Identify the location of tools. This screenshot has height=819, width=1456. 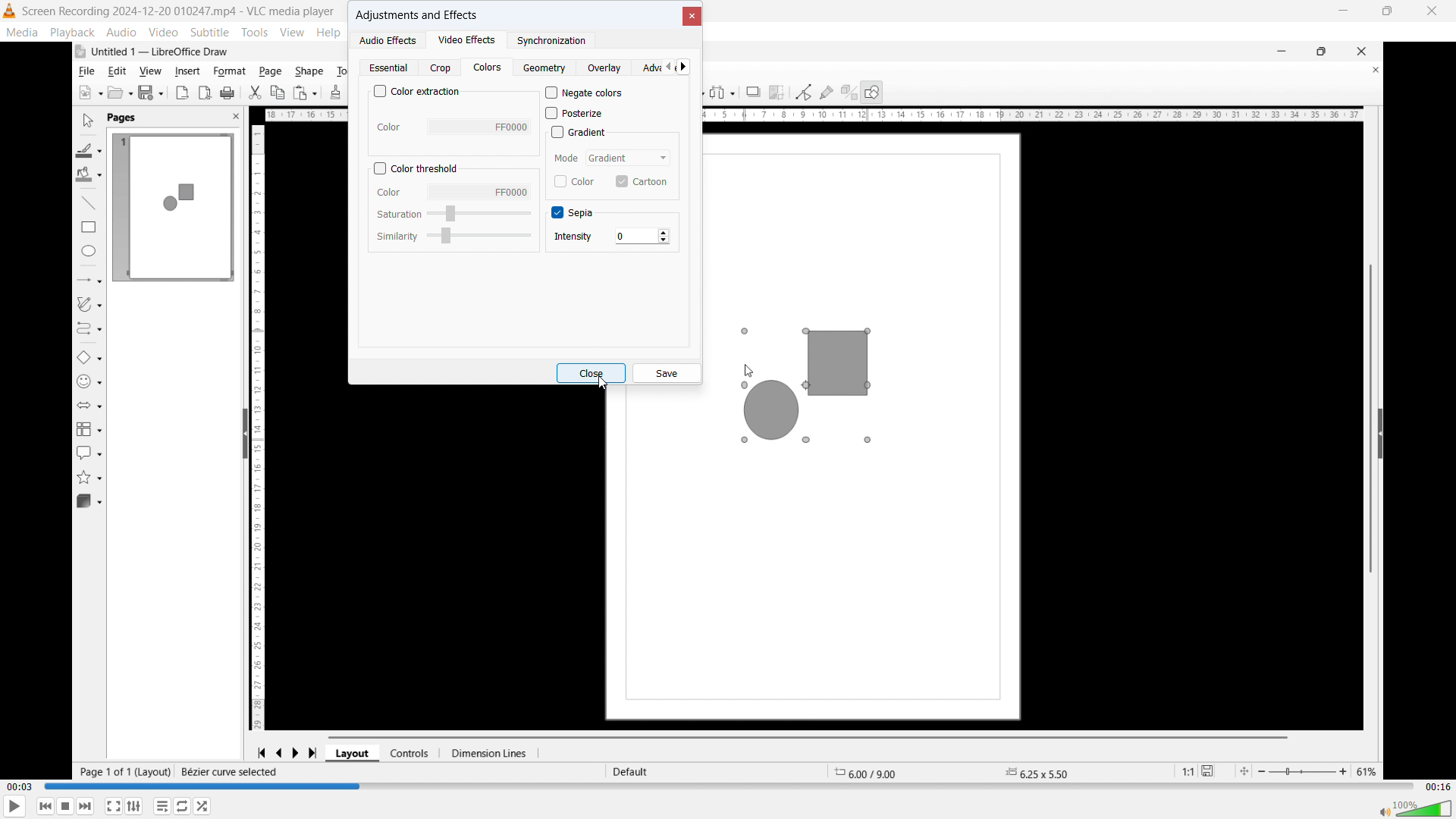
(256, 32).